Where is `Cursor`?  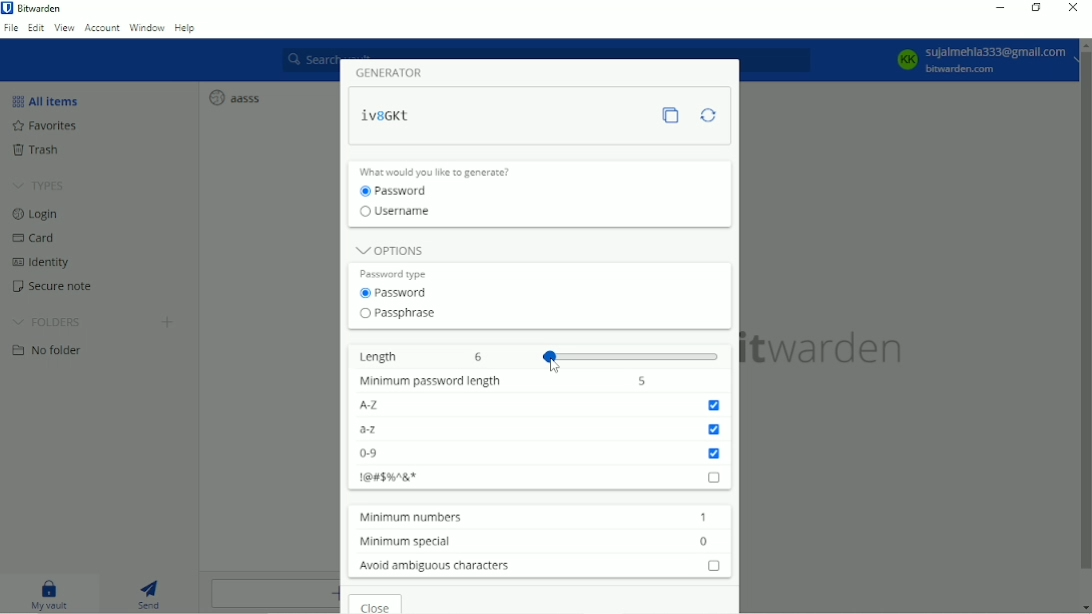 Cursor is located at coordinates (556, 365).